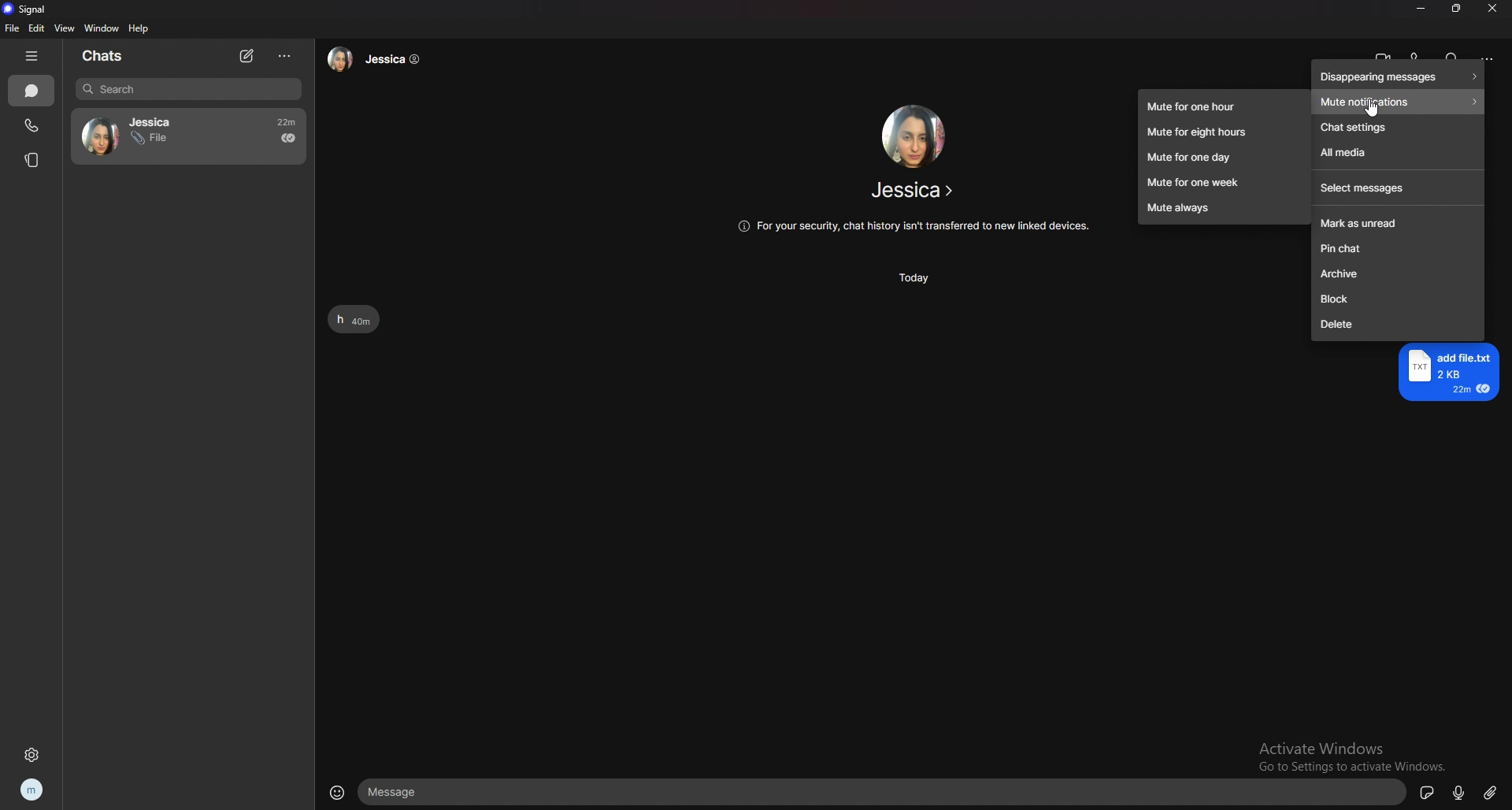 Image resolution: width=1512 pixels, height=810 pixels. What do you see at coordinates (1398, 326) in the screenshot?
I see `delete` at bounding box center [1398, 326].